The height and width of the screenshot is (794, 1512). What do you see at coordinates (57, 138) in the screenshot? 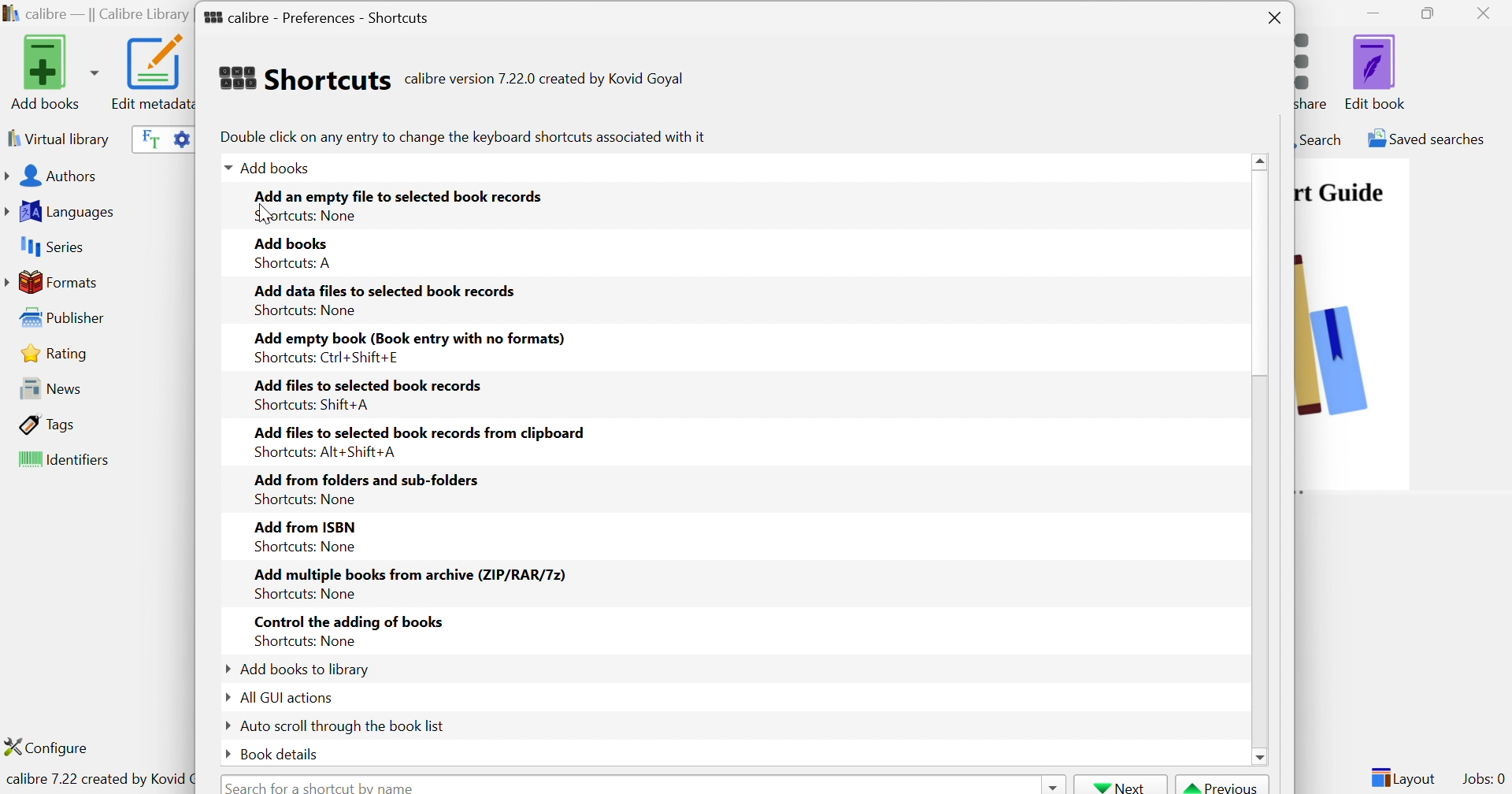
I see `Virtual library` at bounding box center [57, 138].